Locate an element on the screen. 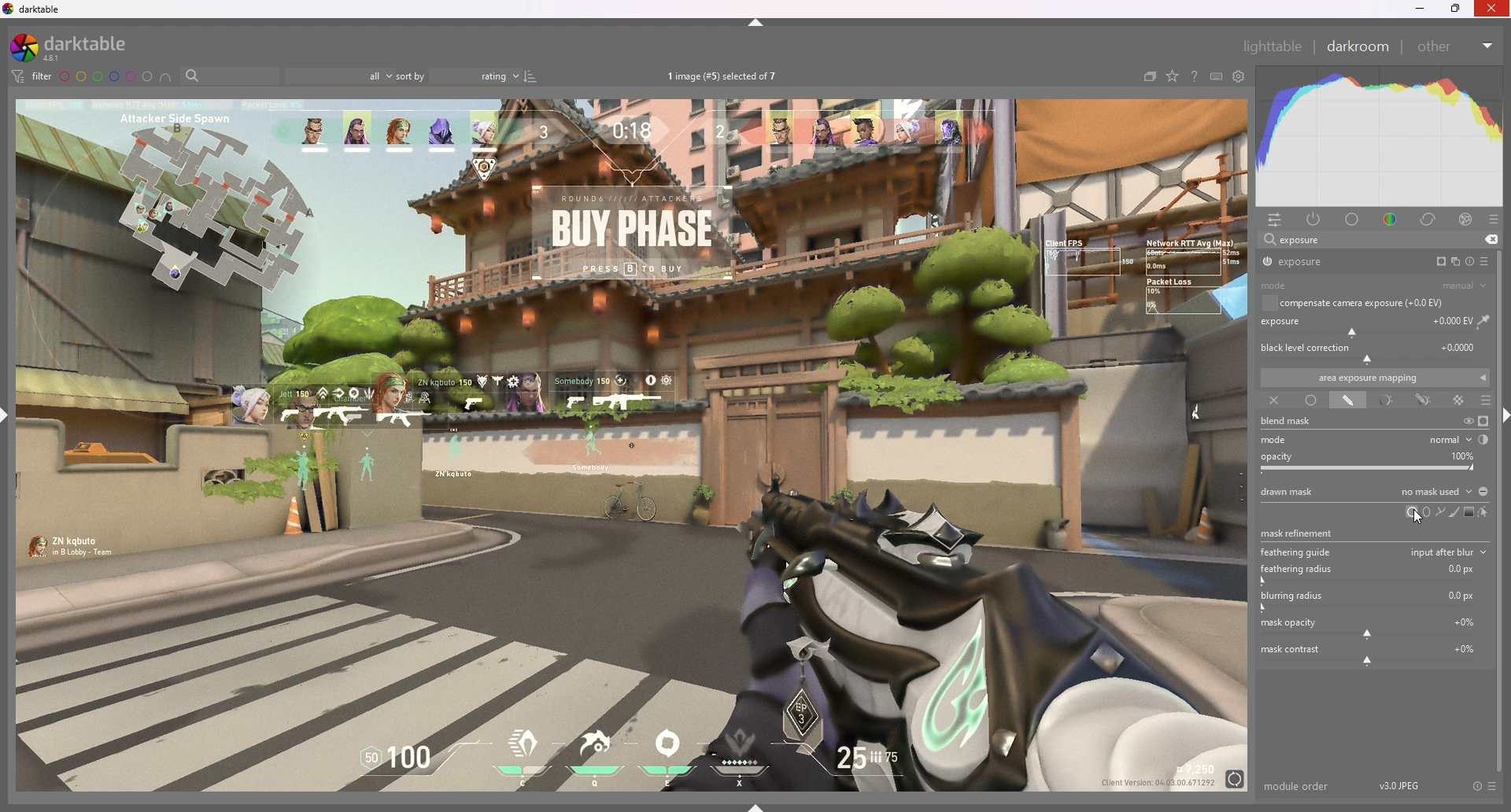 The width and height of the screenshot is (1511, 812). mask opacity is located at coordinates (1372, 627).